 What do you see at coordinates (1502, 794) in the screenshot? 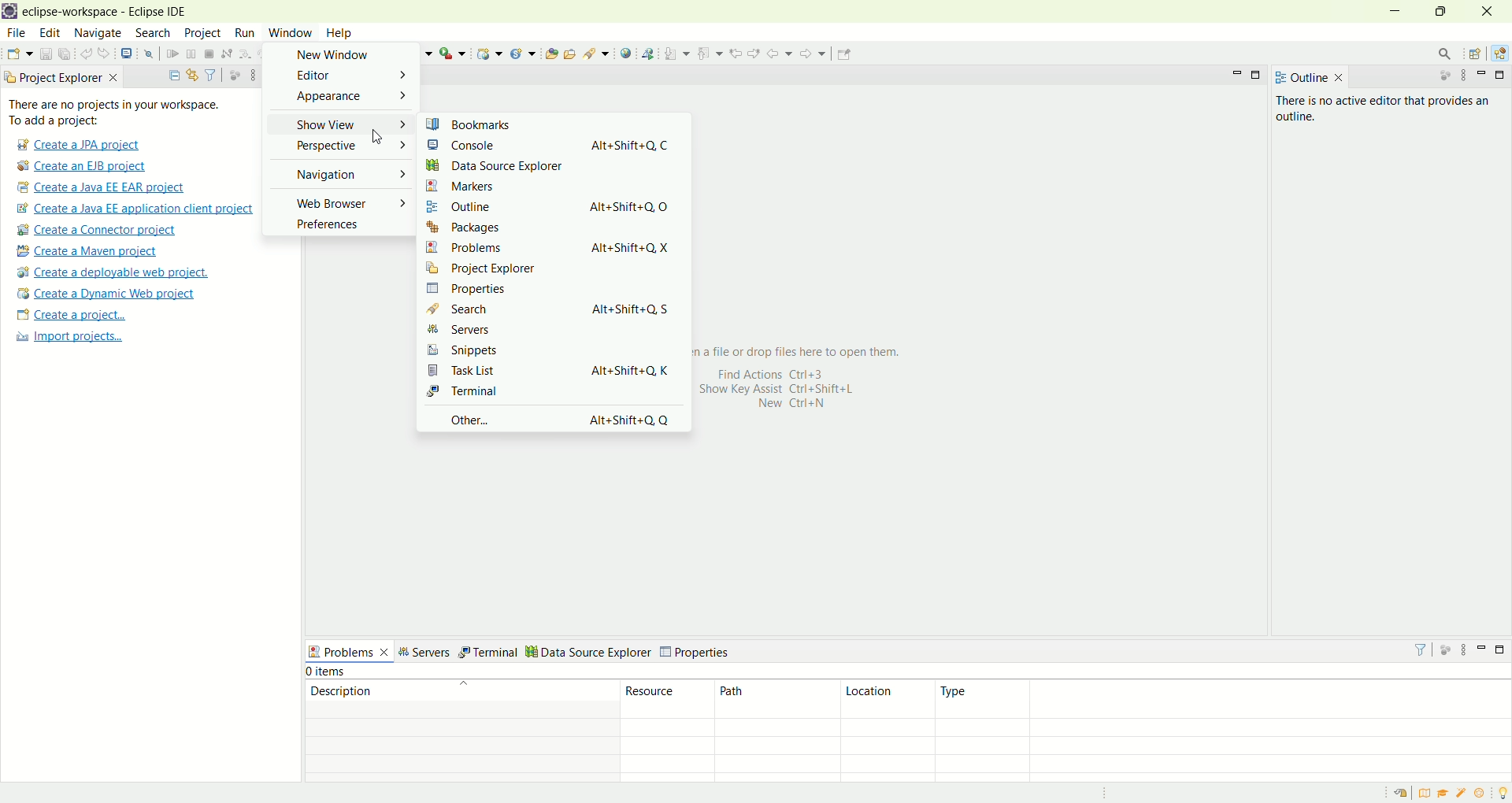
I see `tip of the day` at bounding box center [1502, 794].